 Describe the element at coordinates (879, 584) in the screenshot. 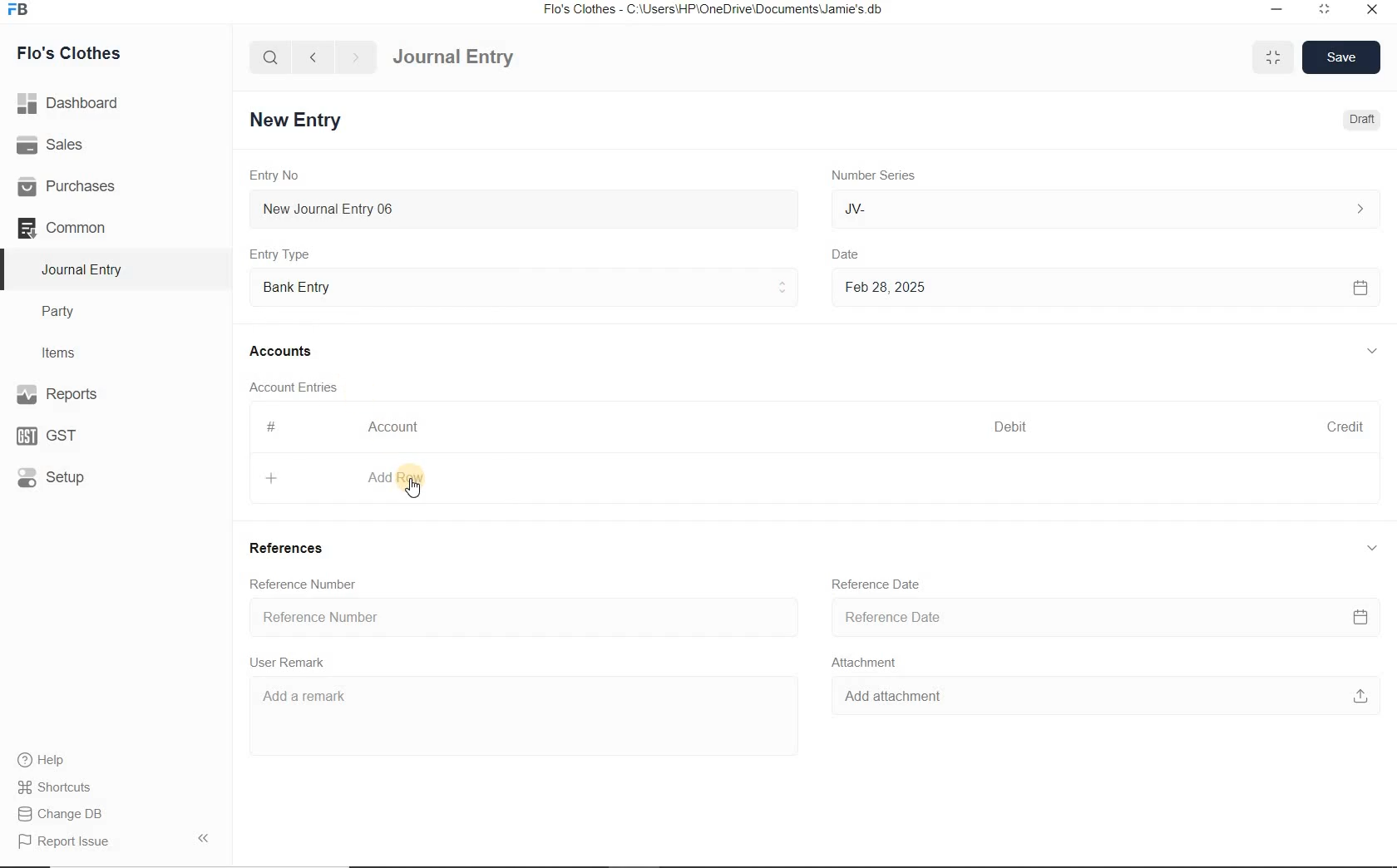

I see `Reference Date` at that location.